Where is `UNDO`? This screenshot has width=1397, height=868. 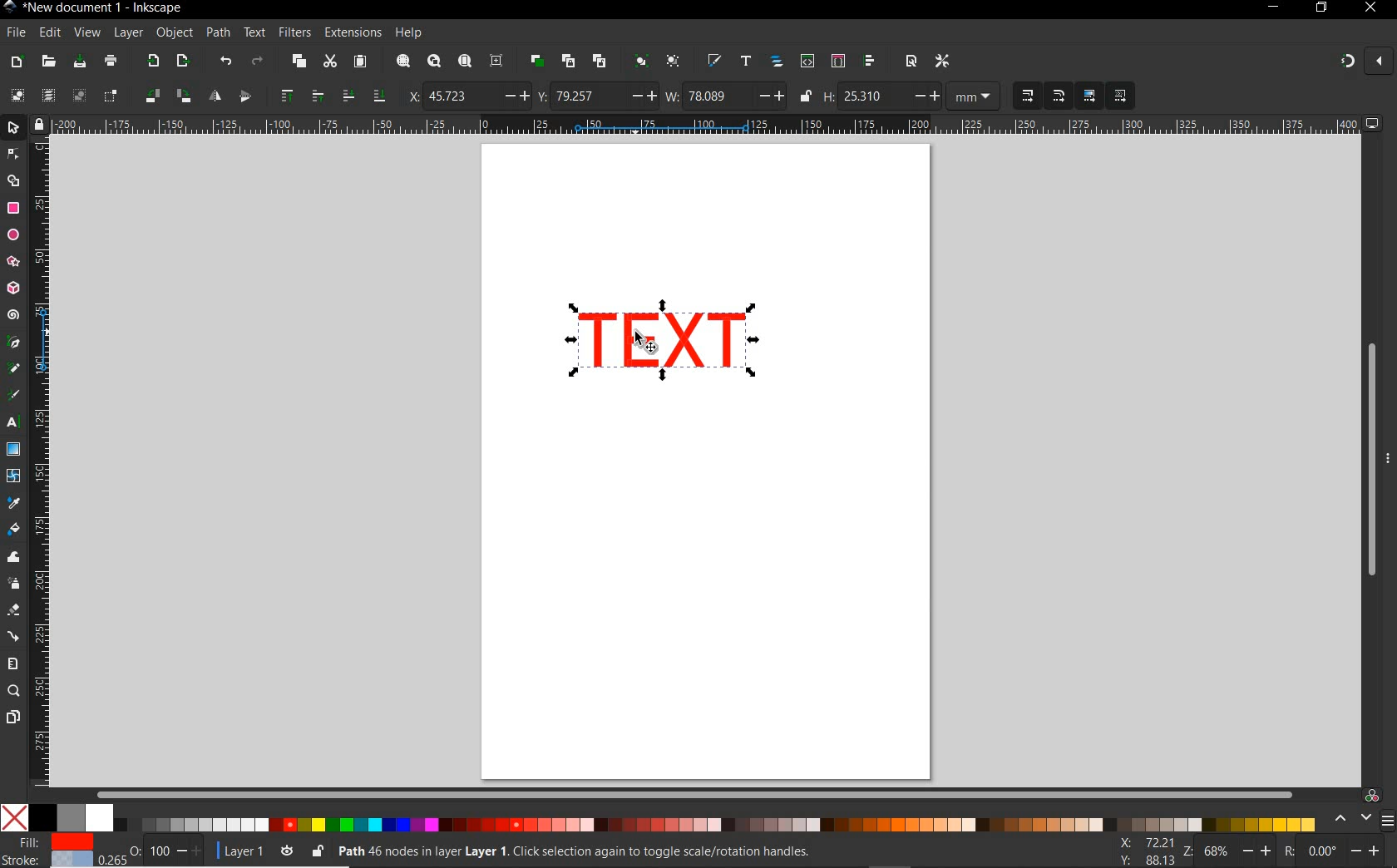
UNDO is located at coordinates (225, 60).